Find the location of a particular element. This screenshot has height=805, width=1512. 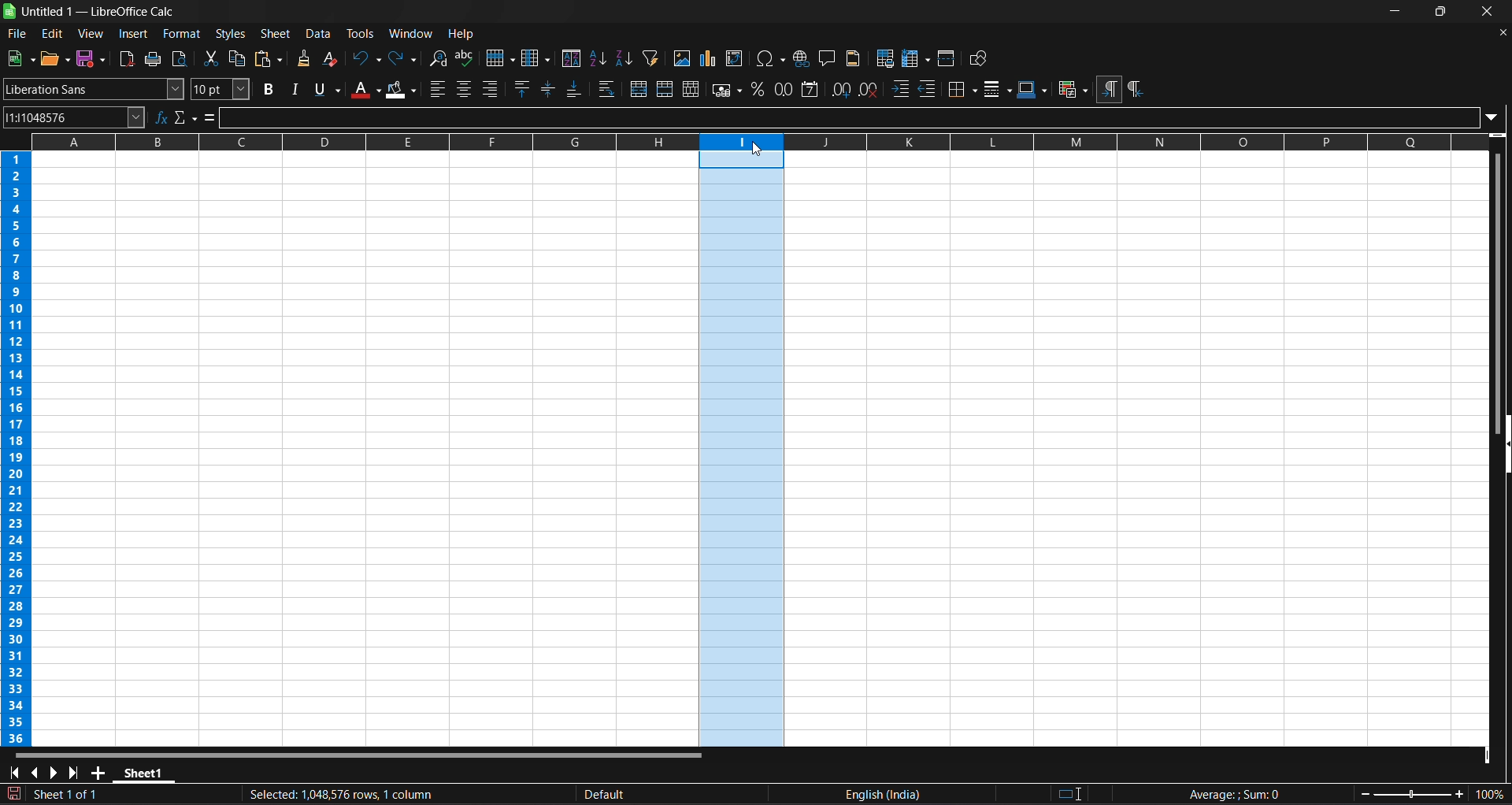

left to right is located at coordinates (1109, 91).